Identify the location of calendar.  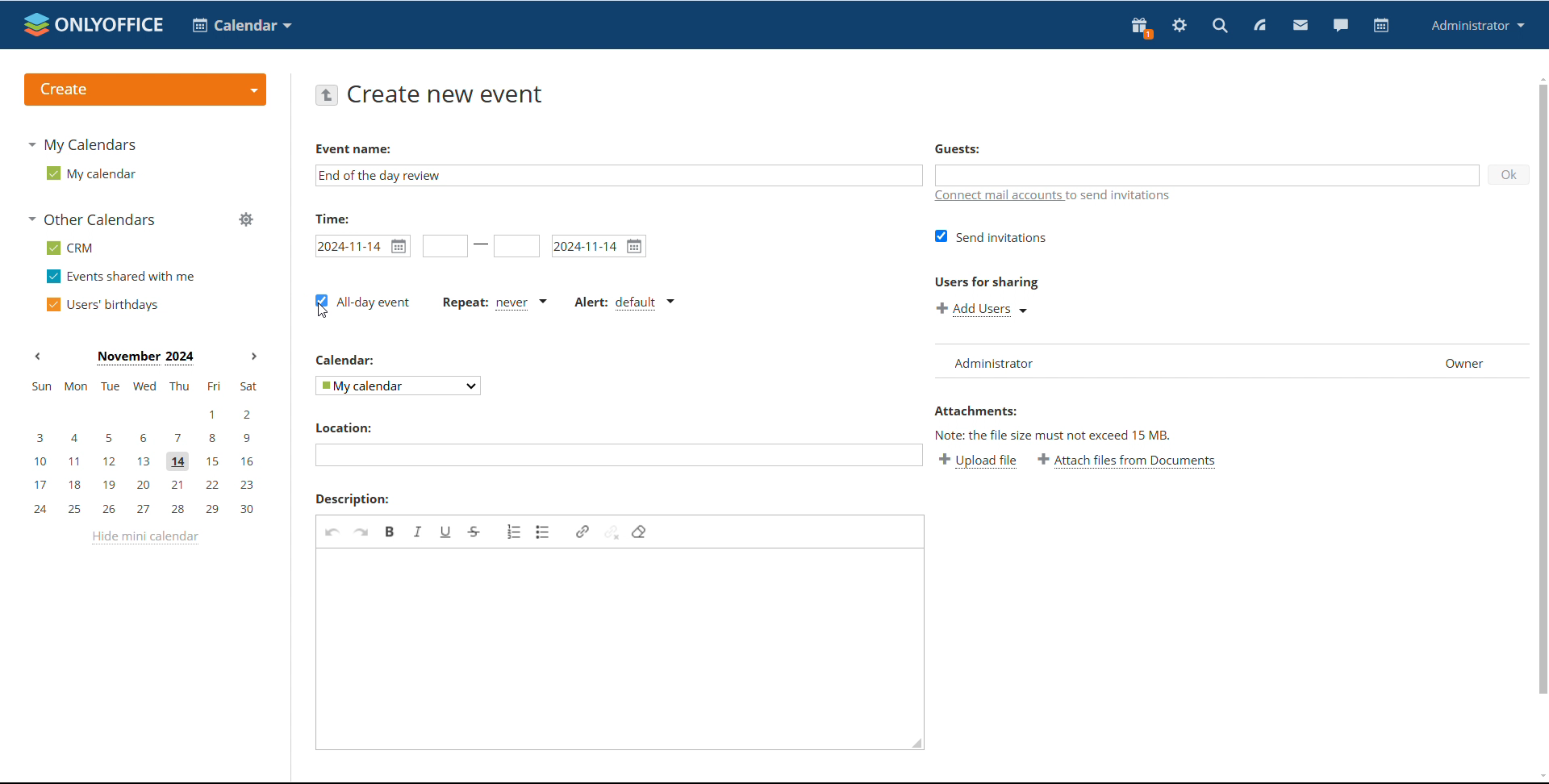
(347, 360).